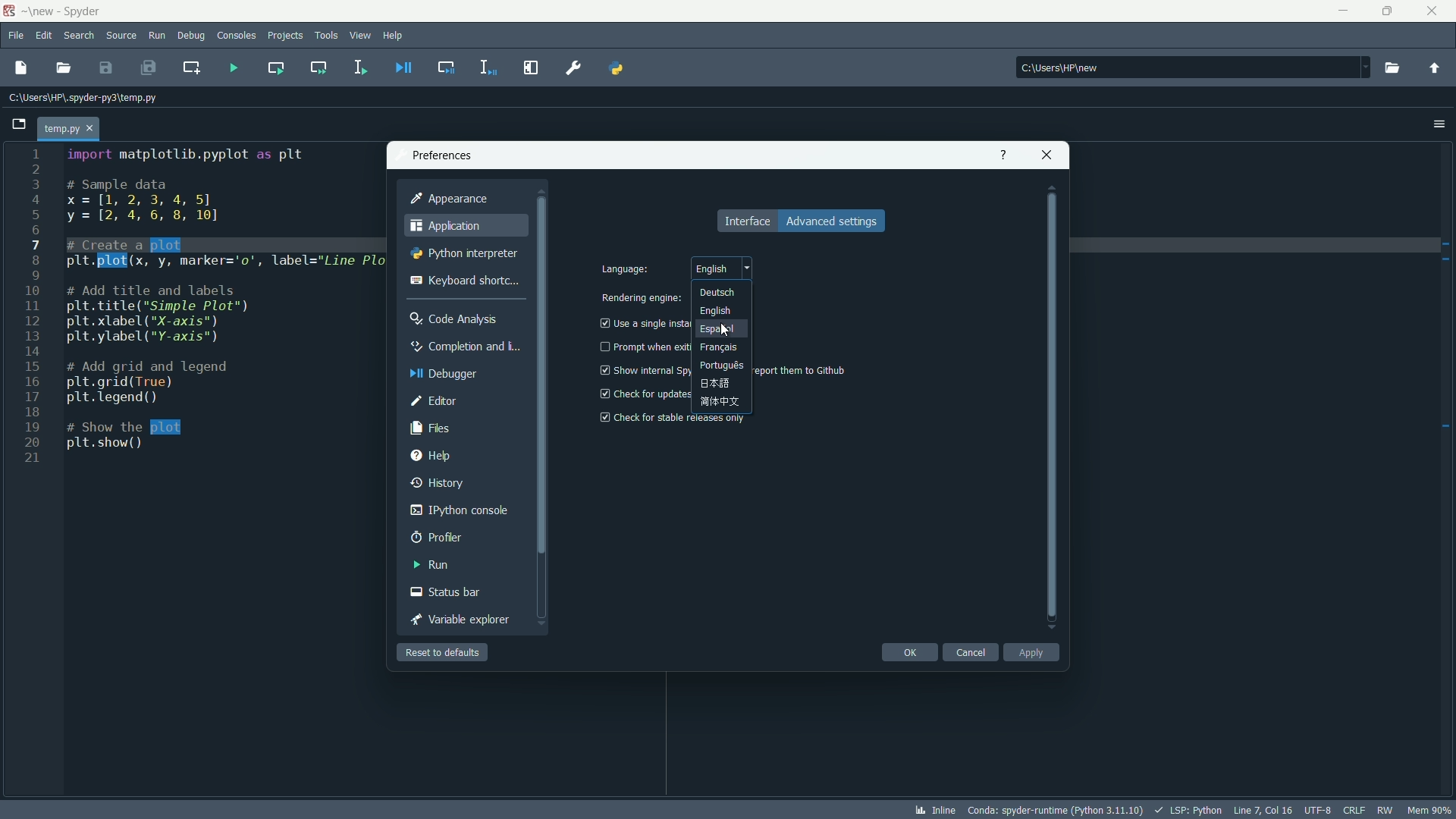 This screenshot has width=1456, height=819. What do you see at coordinates (1048, 155) in the screenshot?
I see `close app` at bounding box center [1048, 155].